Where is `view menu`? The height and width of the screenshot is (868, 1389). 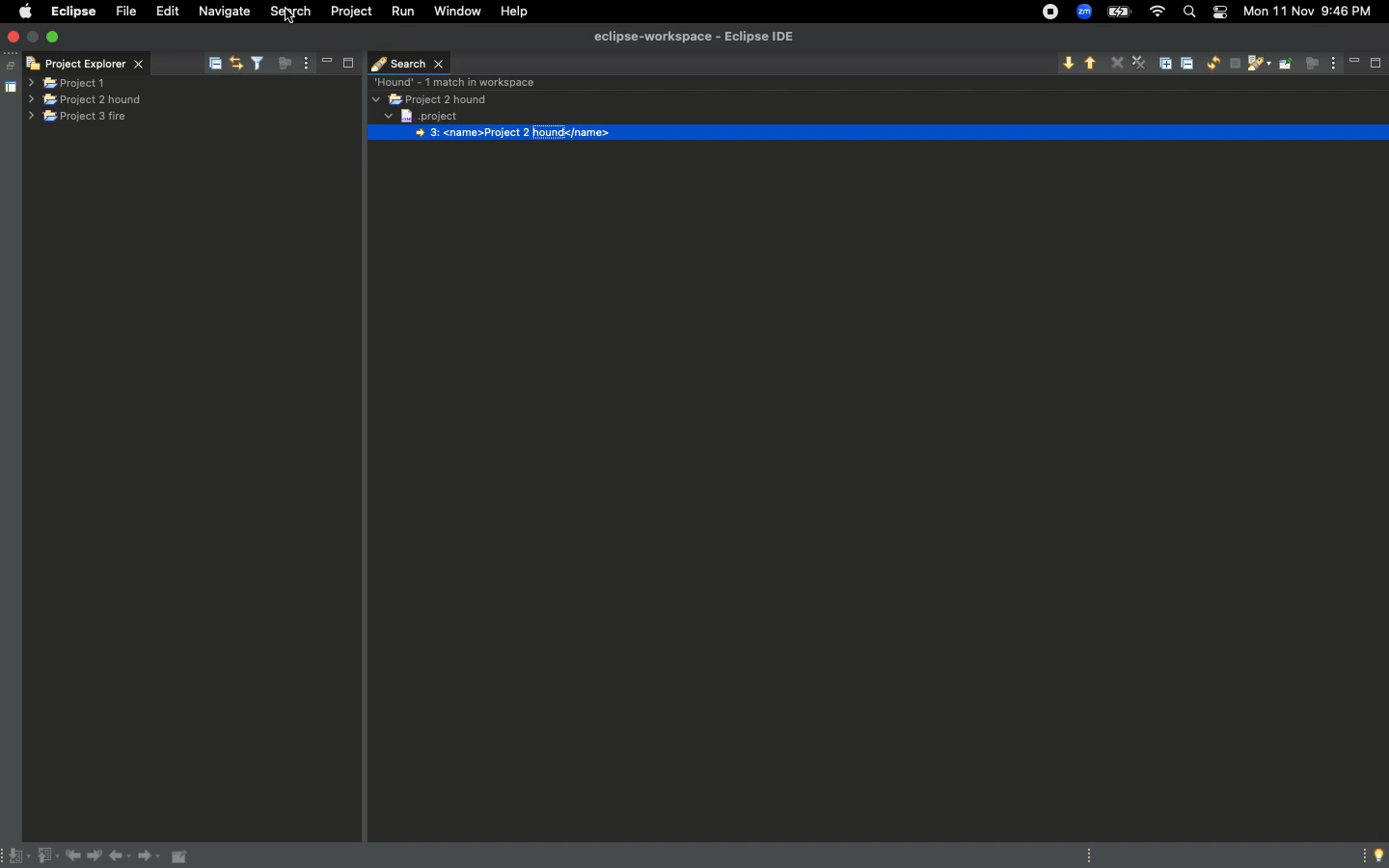
view menu is located at coordinates (1334, 59).